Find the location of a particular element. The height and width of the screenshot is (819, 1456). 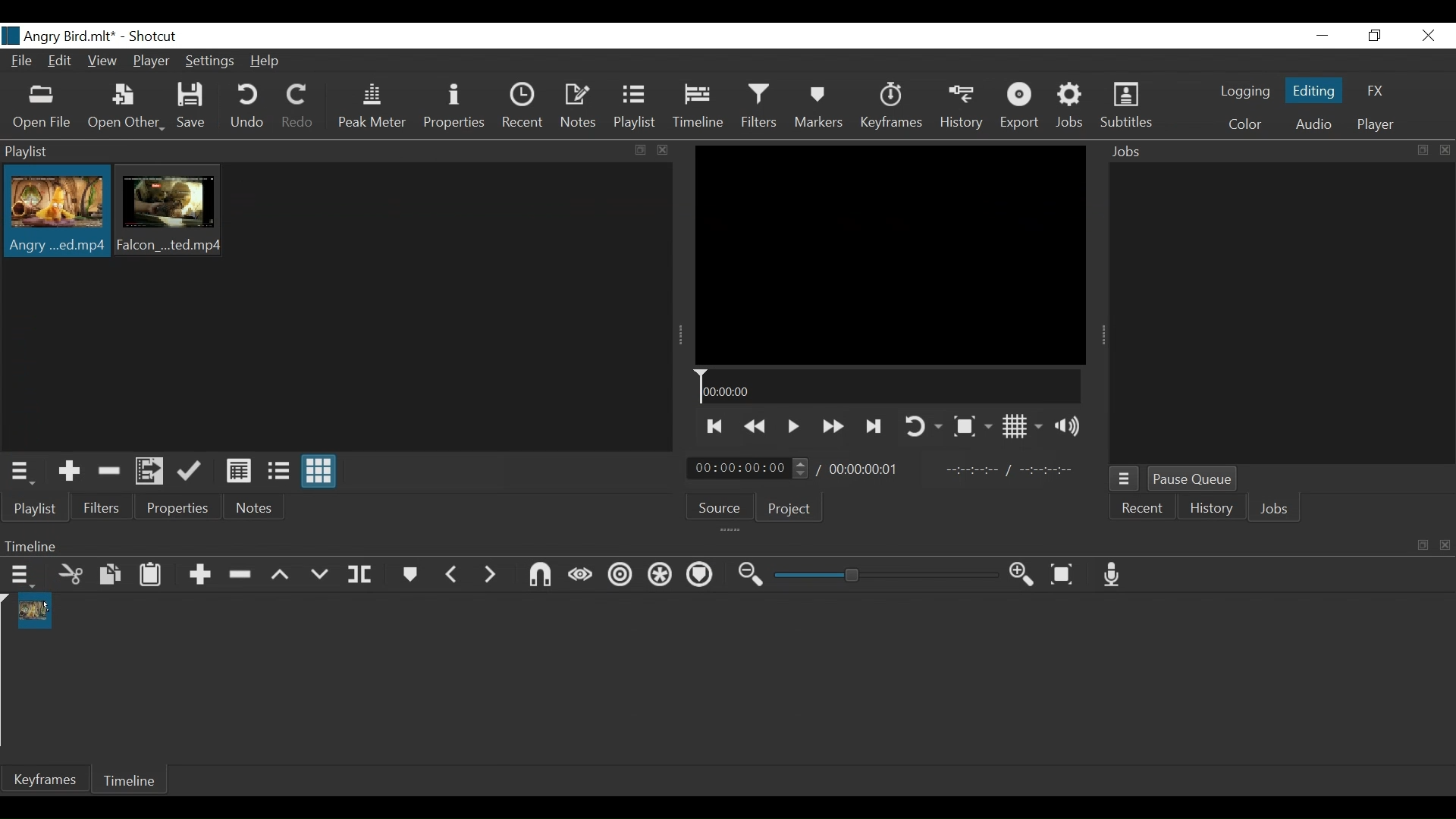

Notes is located at coordinates (256, 507).